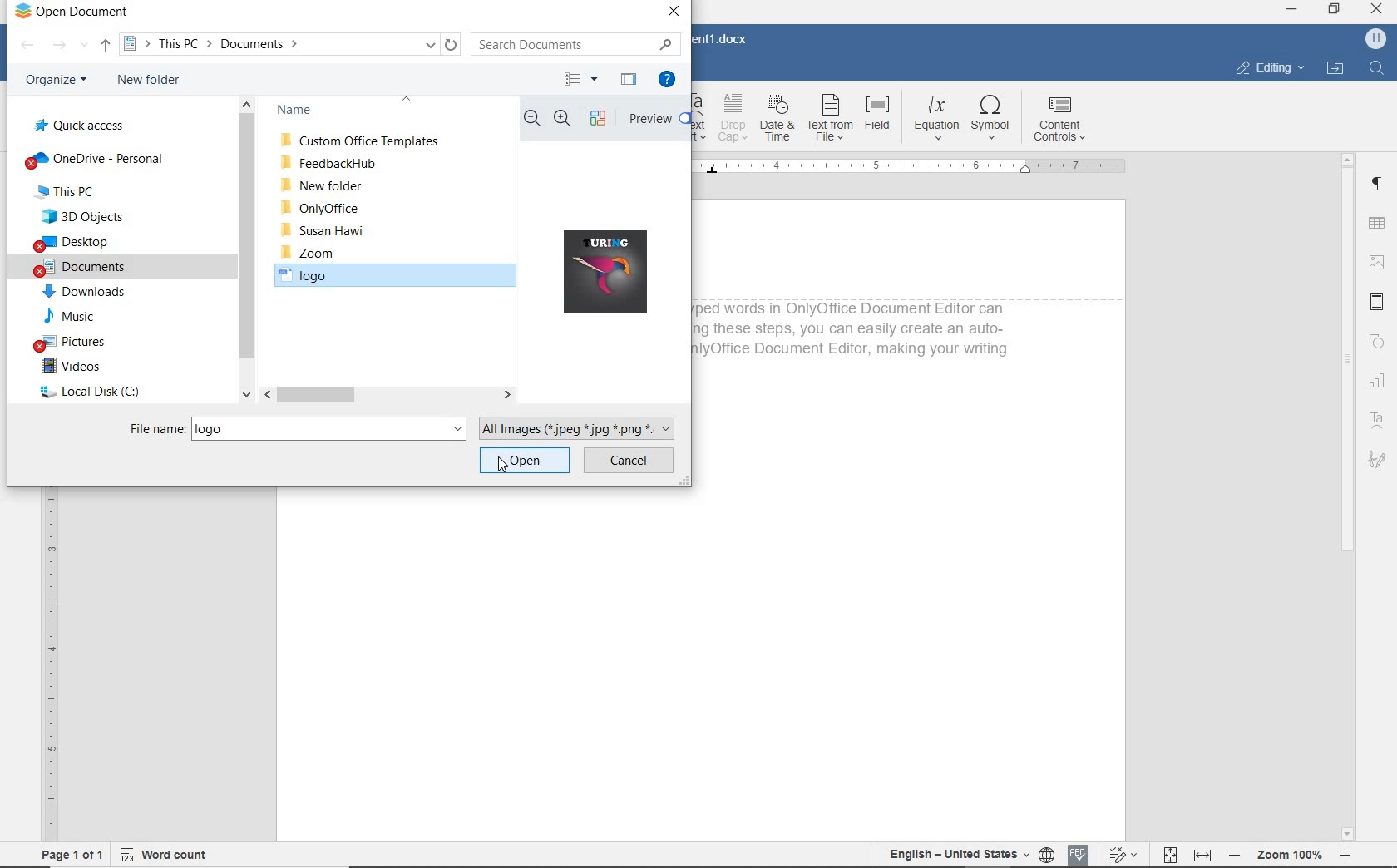 Image resolution: width=1397 pixels, height=868 pixels. Describe the element at coordinates (362, 111) in the screenshot. I see `FOLDER NAMES` at that location.